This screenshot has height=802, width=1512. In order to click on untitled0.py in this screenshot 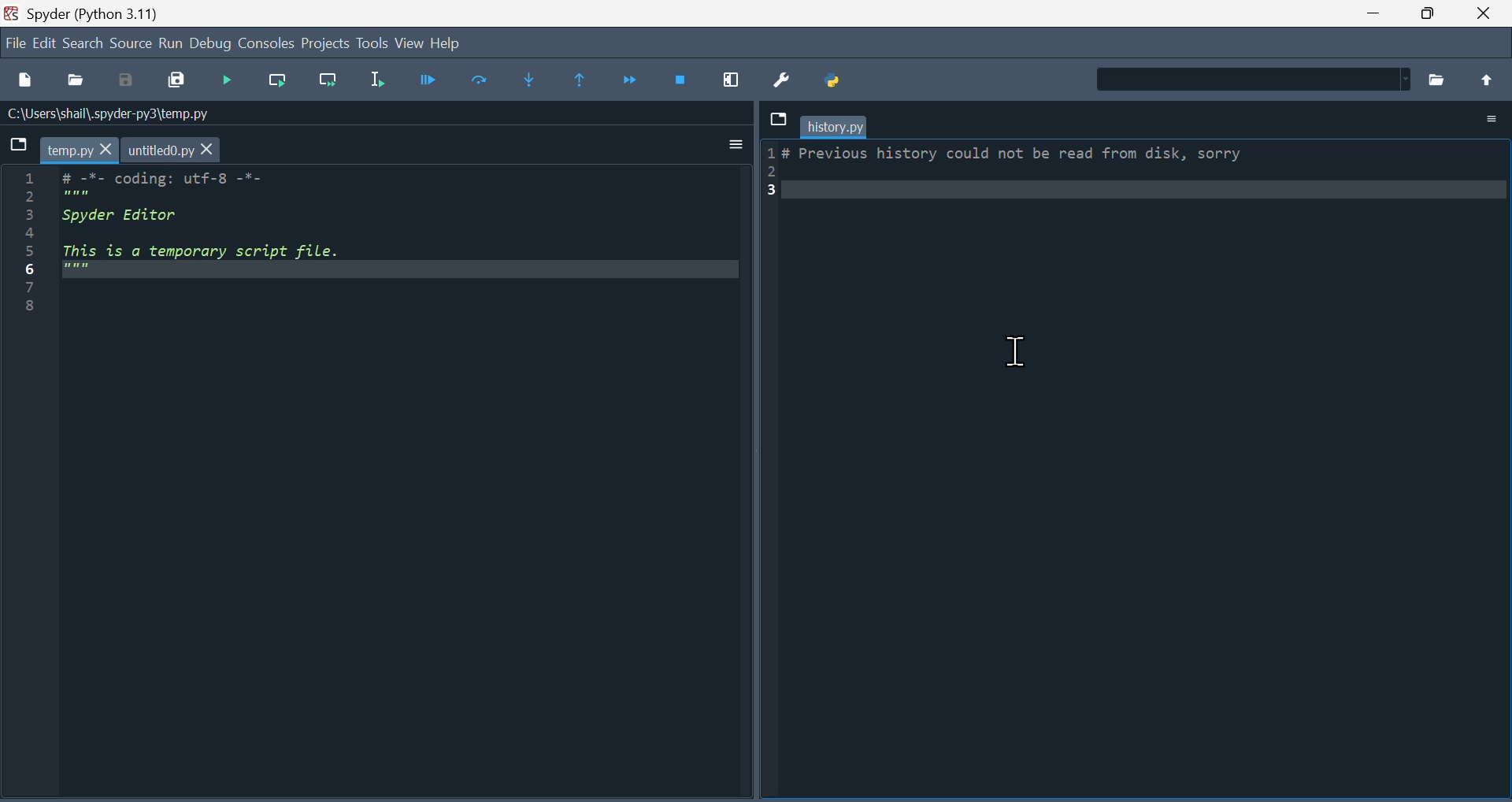, I will do `click(172, 150)`.